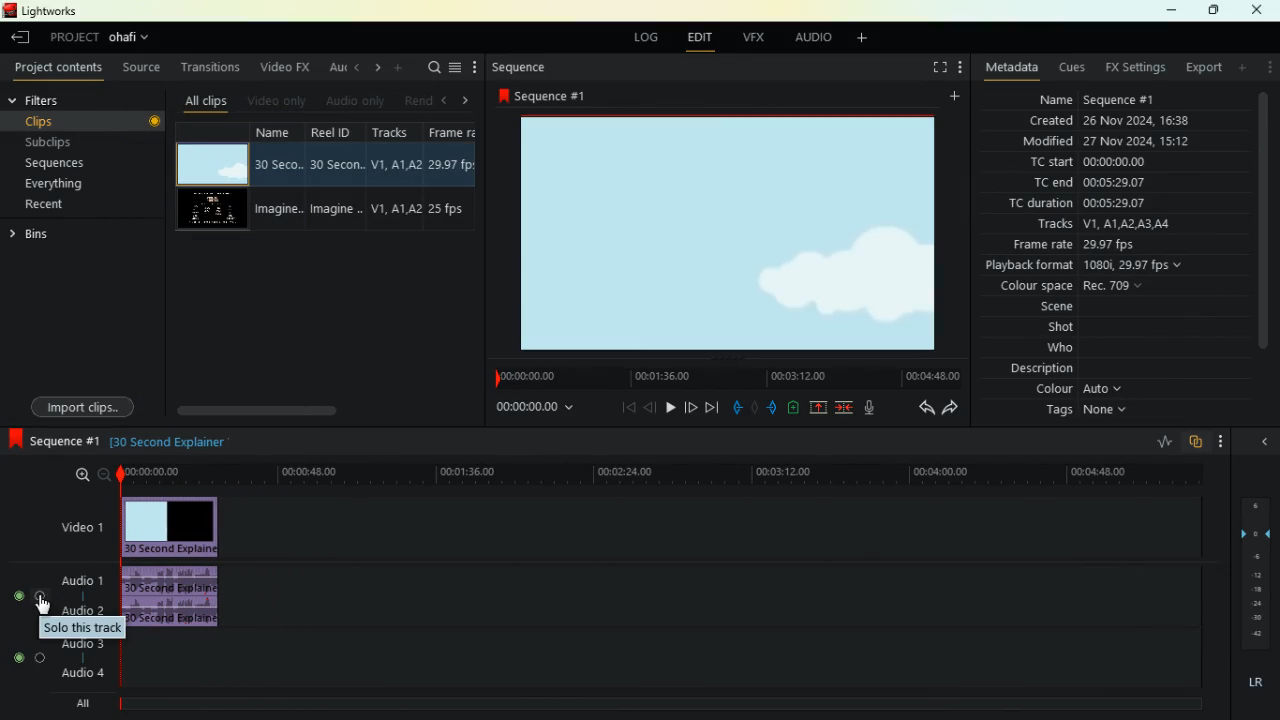 Image resolution: width=1280 pixels, height=720 pixels. What do you see at coordinates (930, 66) in the screenshot?
I see `fullscreen` at bounding box center [930, 66].